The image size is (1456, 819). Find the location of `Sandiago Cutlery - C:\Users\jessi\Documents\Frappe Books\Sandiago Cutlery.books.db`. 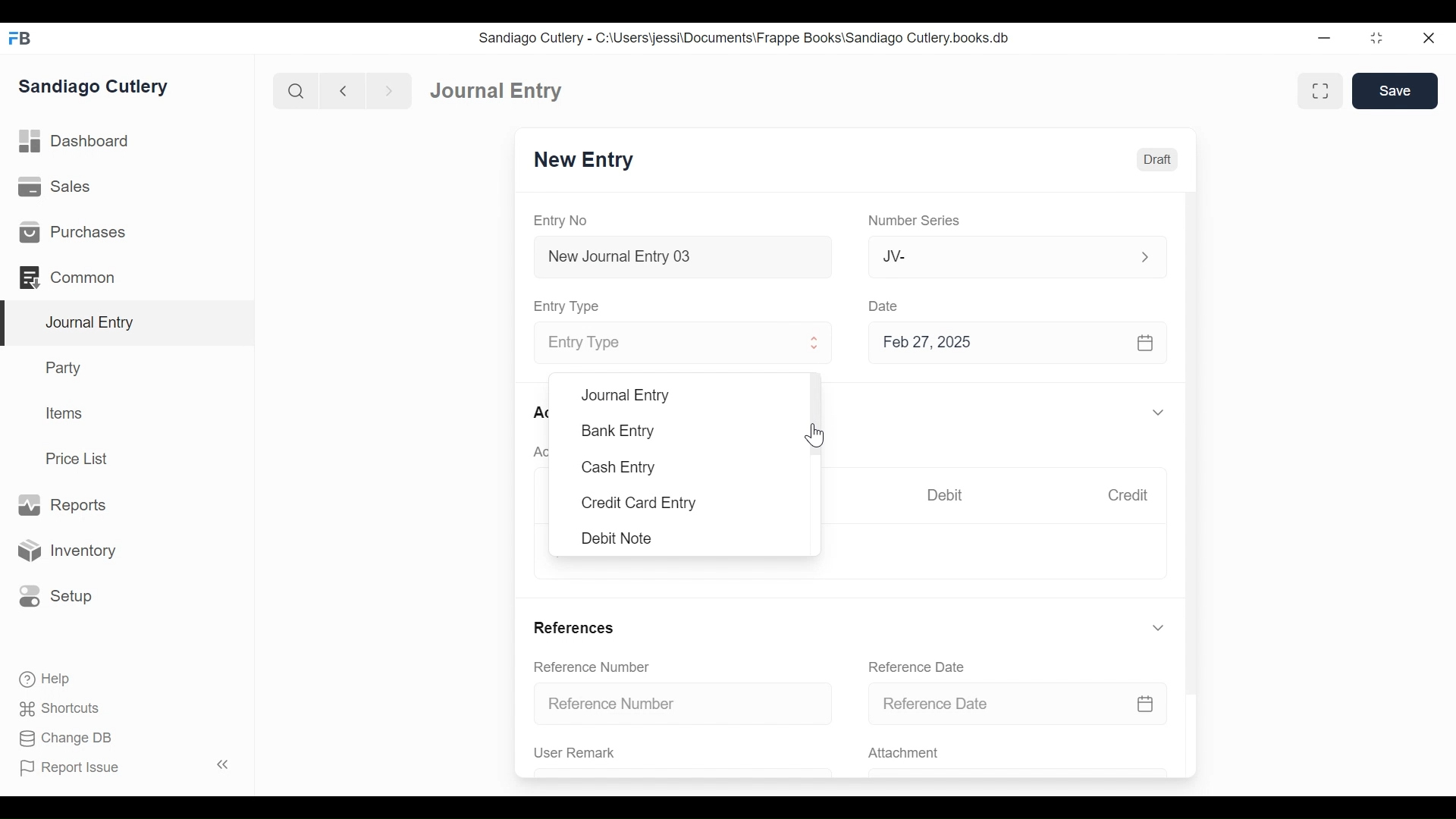

Sandiago Cutlery - C:\Users\jessi\Documents\Frappe Books\Sandiago Cutlery.books.db is located at coordinates (745, 37).